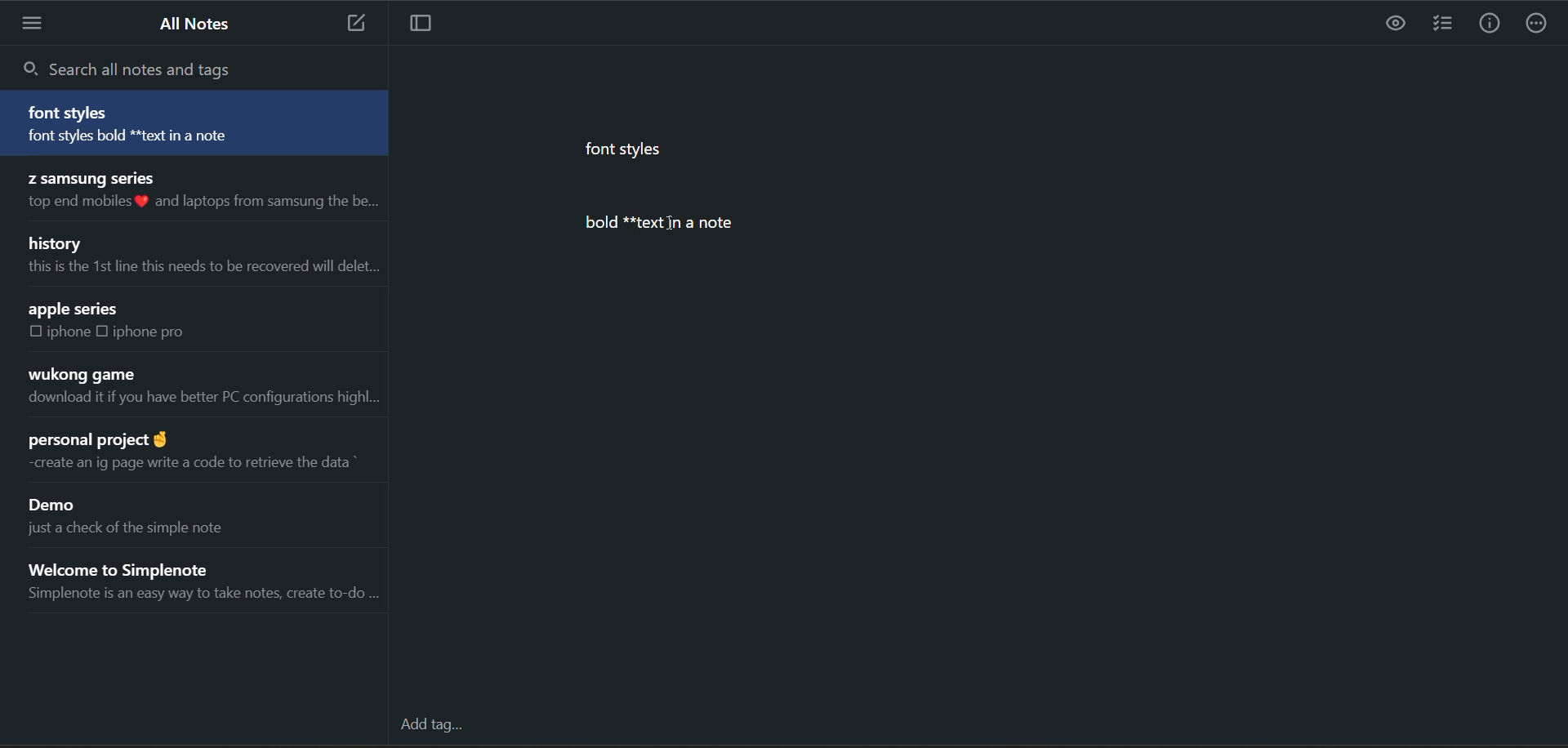 The image size is (1568, 748). Describe the element at coordinates (136, 68) in the screenshot. I see `search` at that location.